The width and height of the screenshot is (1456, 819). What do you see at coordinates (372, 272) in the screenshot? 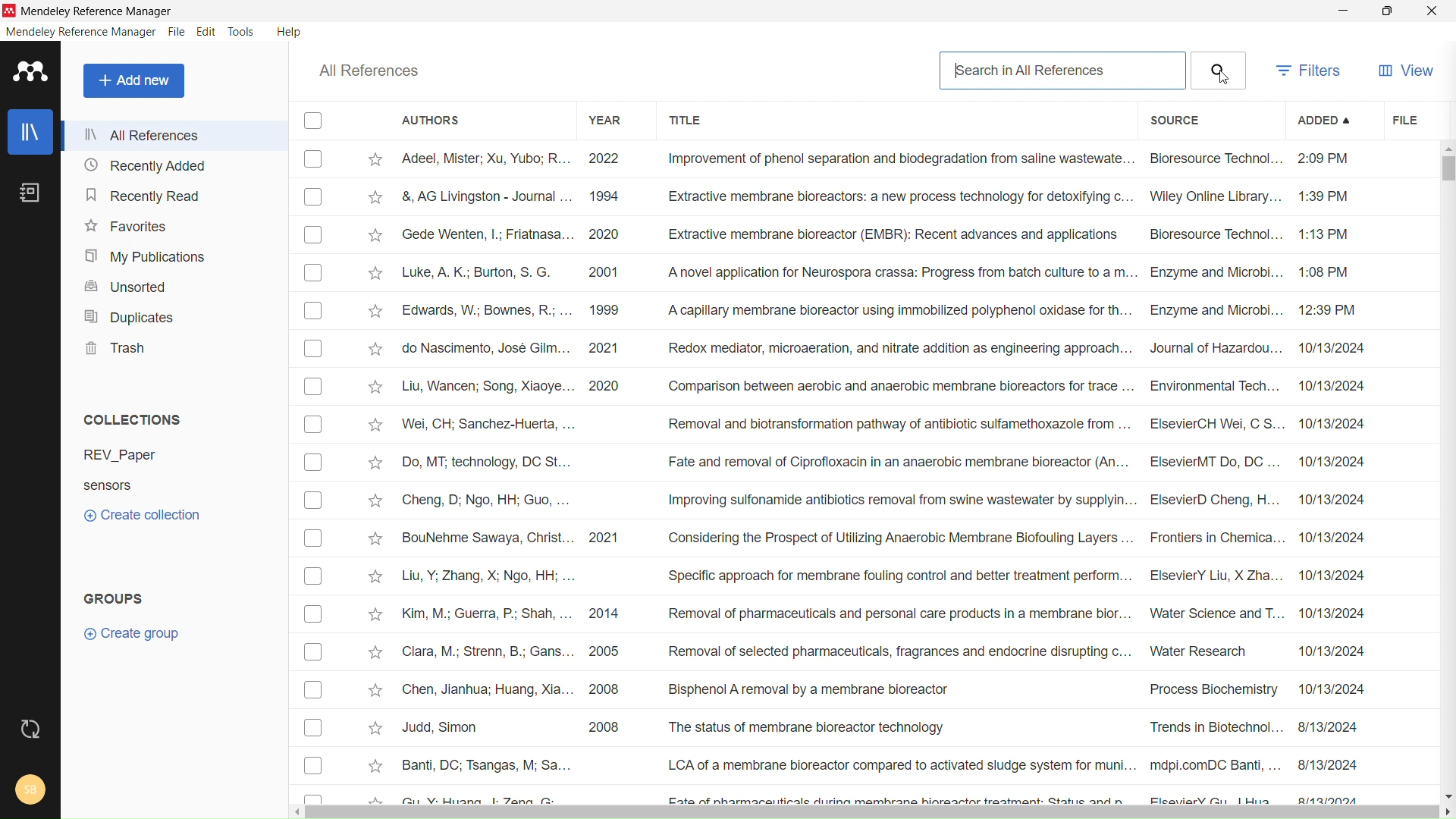
I see `Add to favorites` at bounding box center [372, 272].